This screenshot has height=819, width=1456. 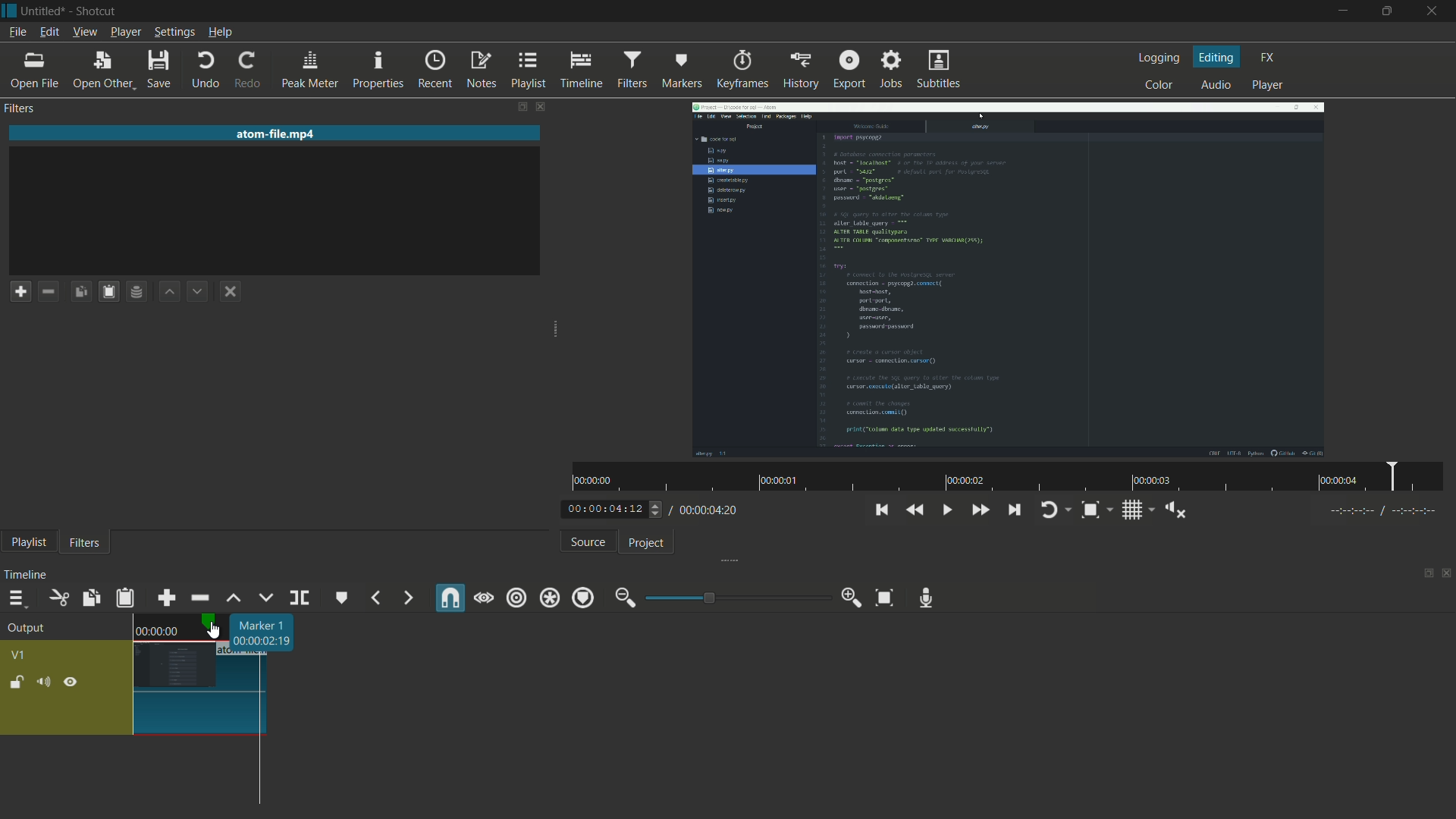 I want to click on imported video file, so click(x=1009, y=281).